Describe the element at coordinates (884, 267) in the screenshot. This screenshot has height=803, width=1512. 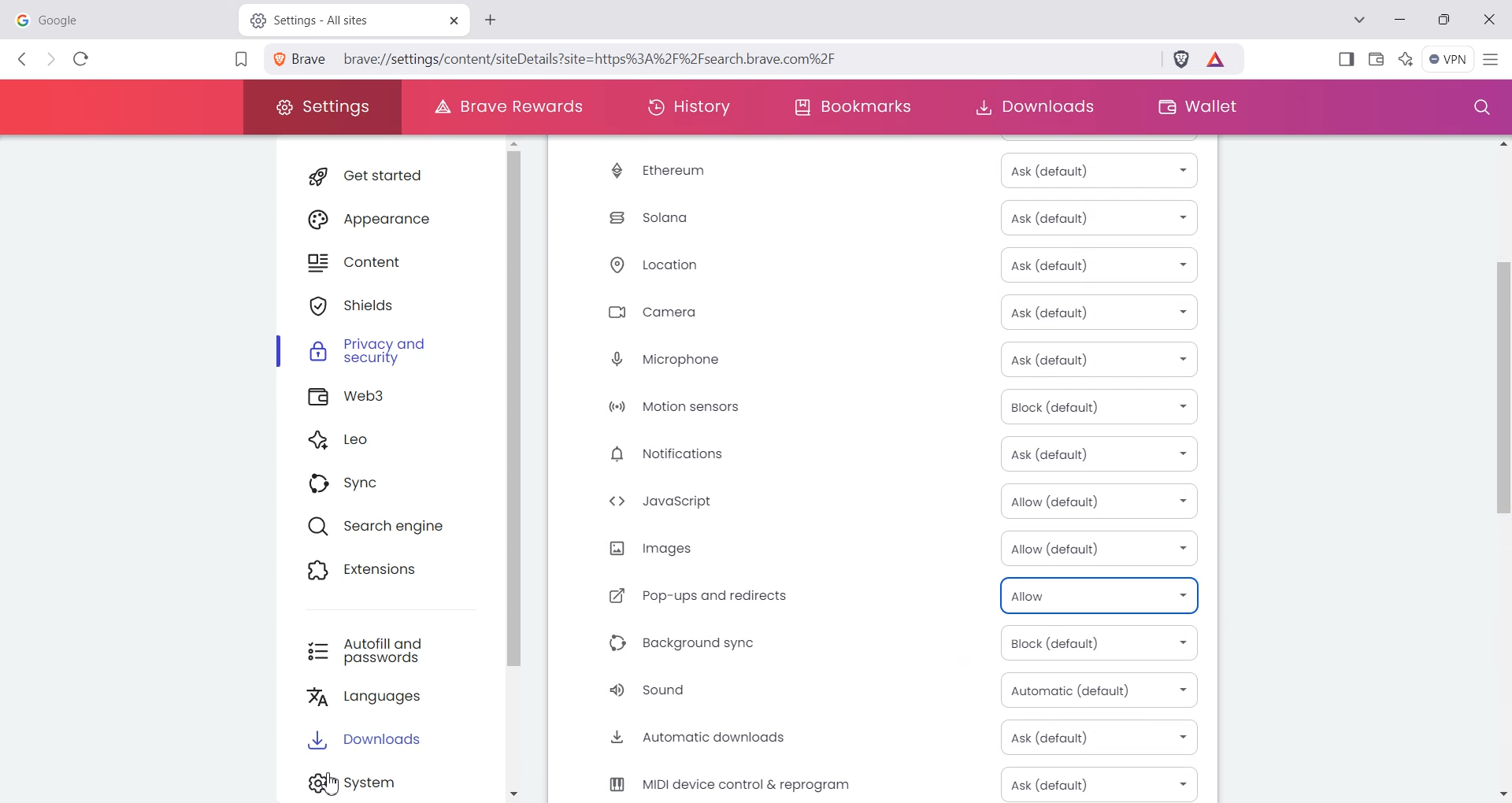
I see `Location Ask (Default)` at that location.